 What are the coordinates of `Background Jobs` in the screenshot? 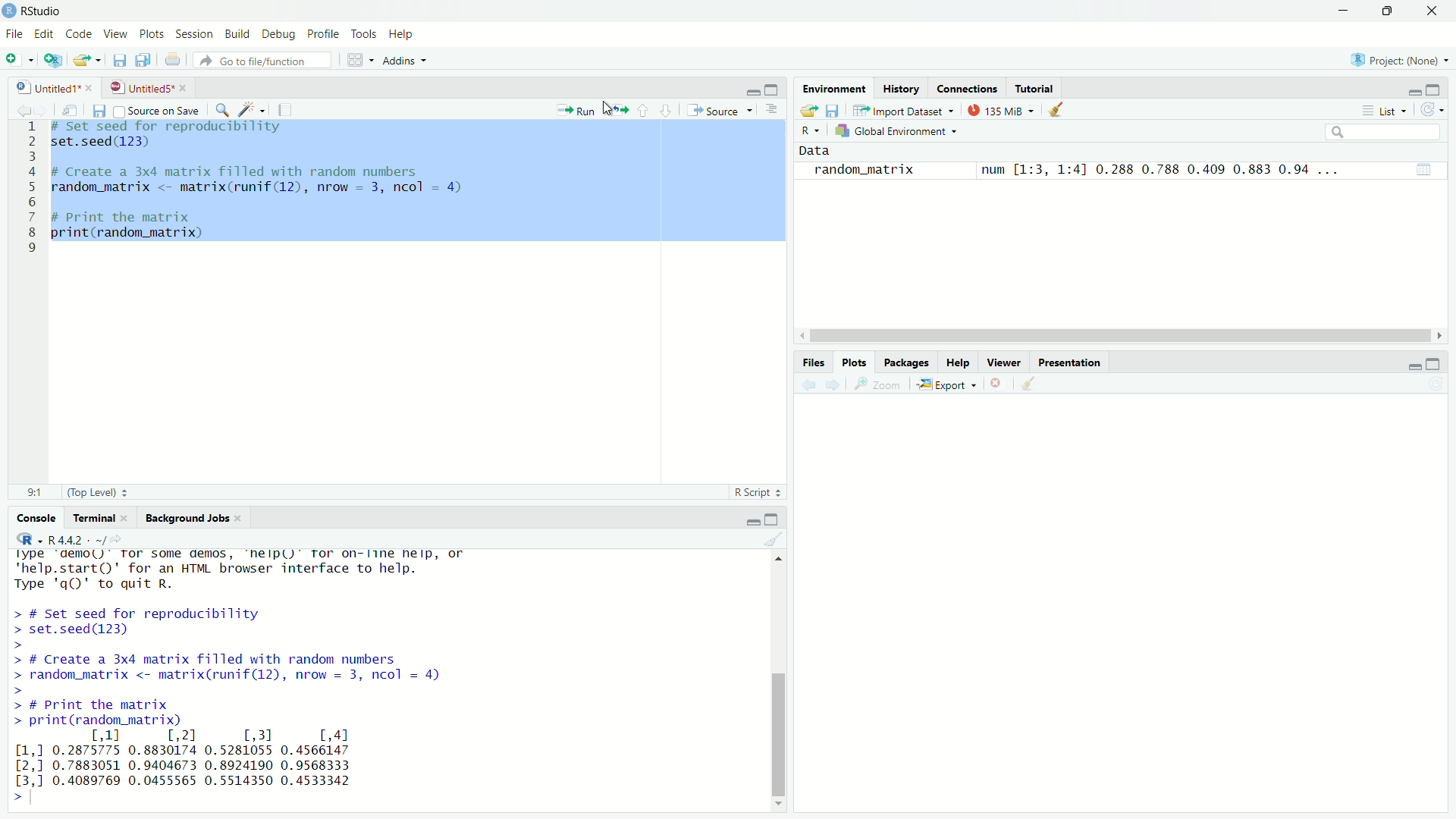 It's located at (194, 518).